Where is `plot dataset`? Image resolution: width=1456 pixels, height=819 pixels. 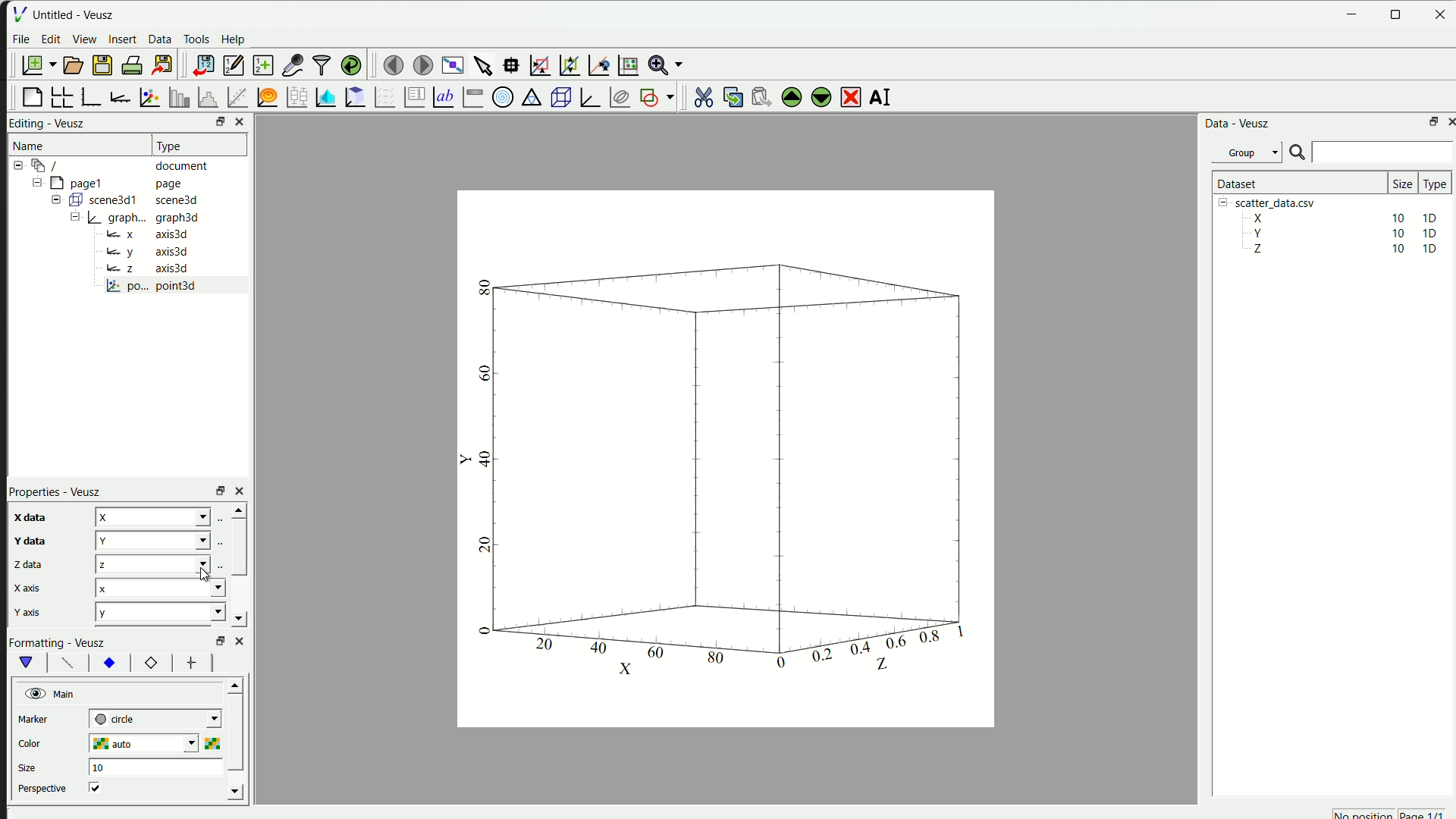 plot dataset is located at coordinates (323, 96).